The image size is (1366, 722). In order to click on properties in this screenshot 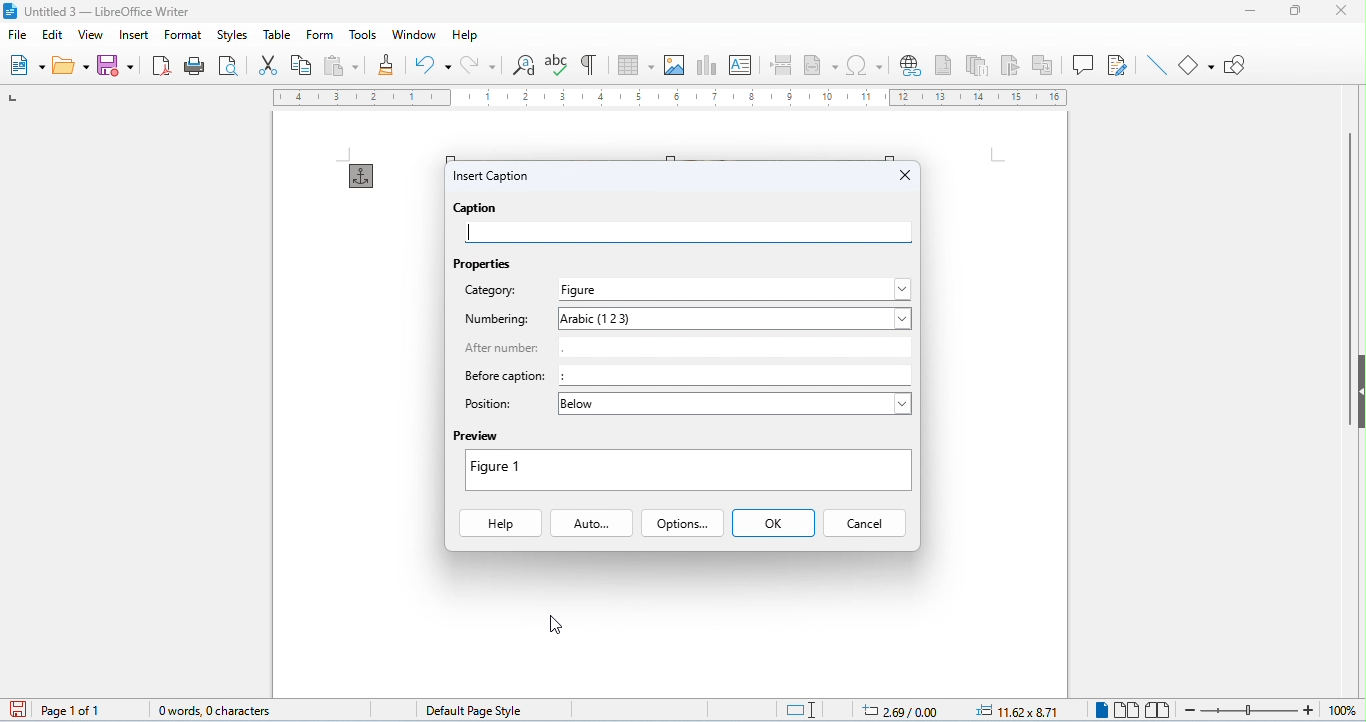, I will do `click(485, 264)`.